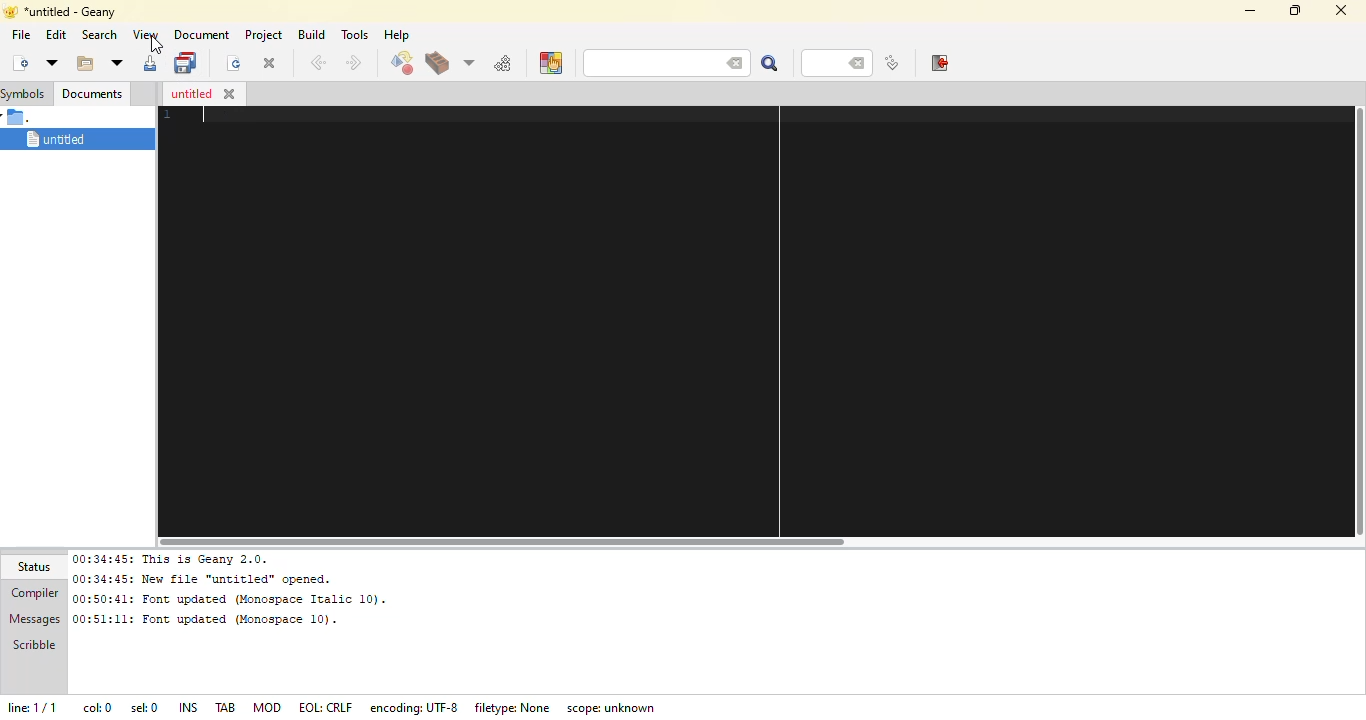 This screenshot has width=1366, height=720. What do you see at coordinates (31, 647) in the screenshot?
I see `scribble` at bounding box center [31, 647].